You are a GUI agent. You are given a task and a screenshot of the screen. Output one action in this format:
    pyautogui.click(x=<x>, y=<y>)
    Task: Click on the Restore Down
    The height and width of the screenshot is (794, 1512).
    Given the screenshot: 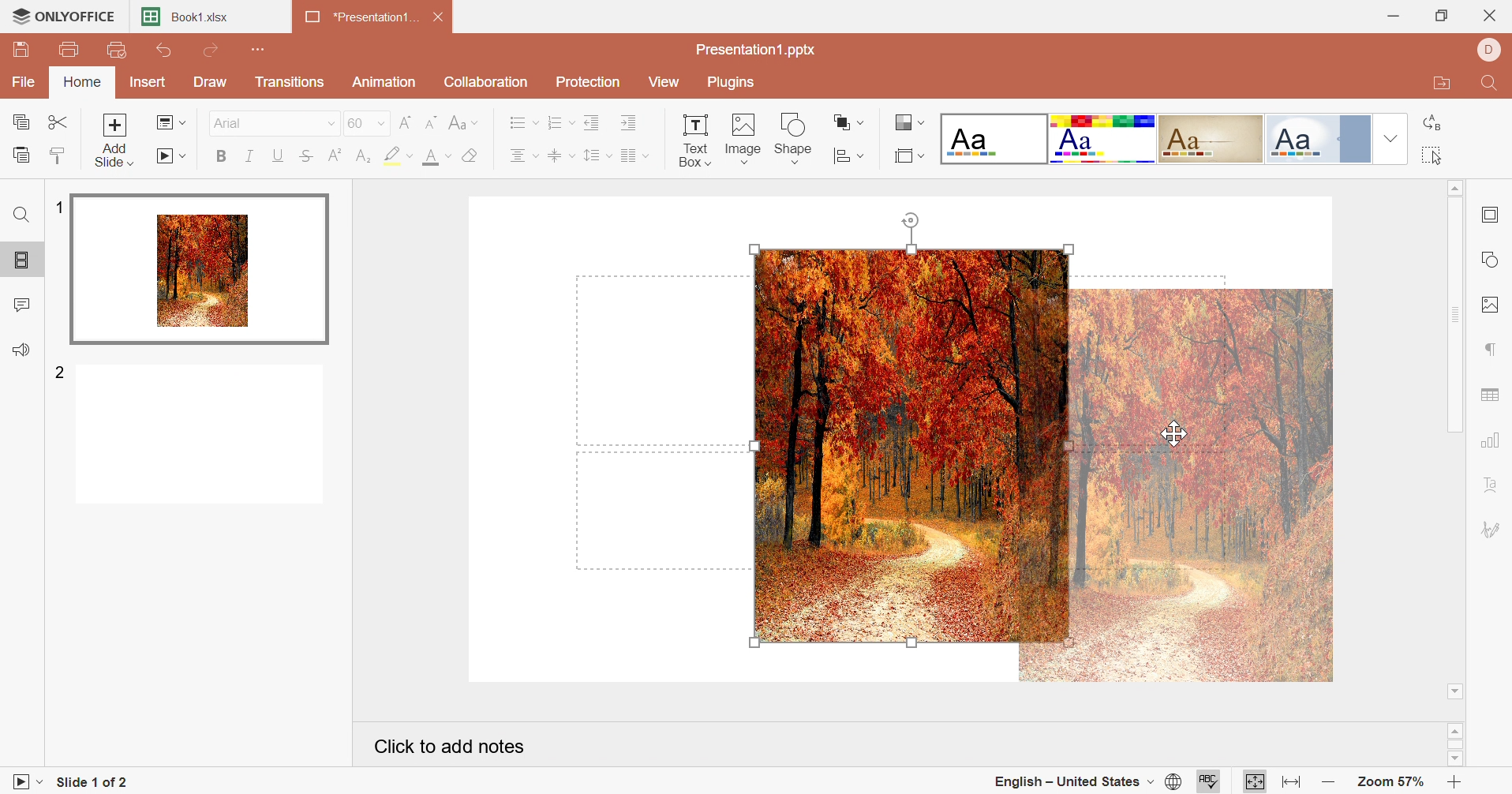 What is the action you would take?
    pyautogui.click(x=1439, y=17)
    